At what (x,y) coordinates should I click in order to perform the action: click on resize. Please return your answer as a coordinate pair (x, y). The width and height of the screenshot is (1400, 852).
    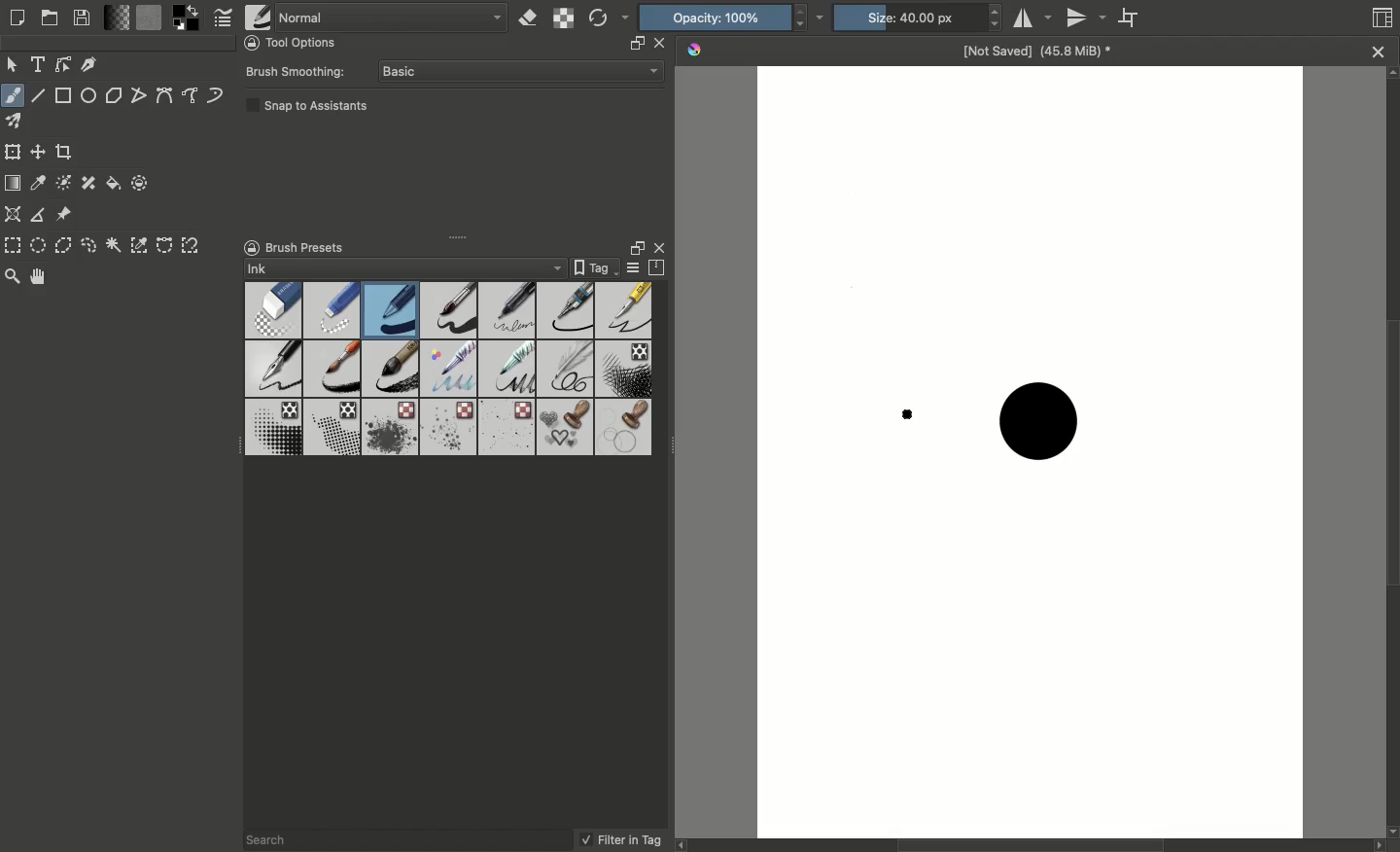
    Looking at the image, I should click on (634, 44).